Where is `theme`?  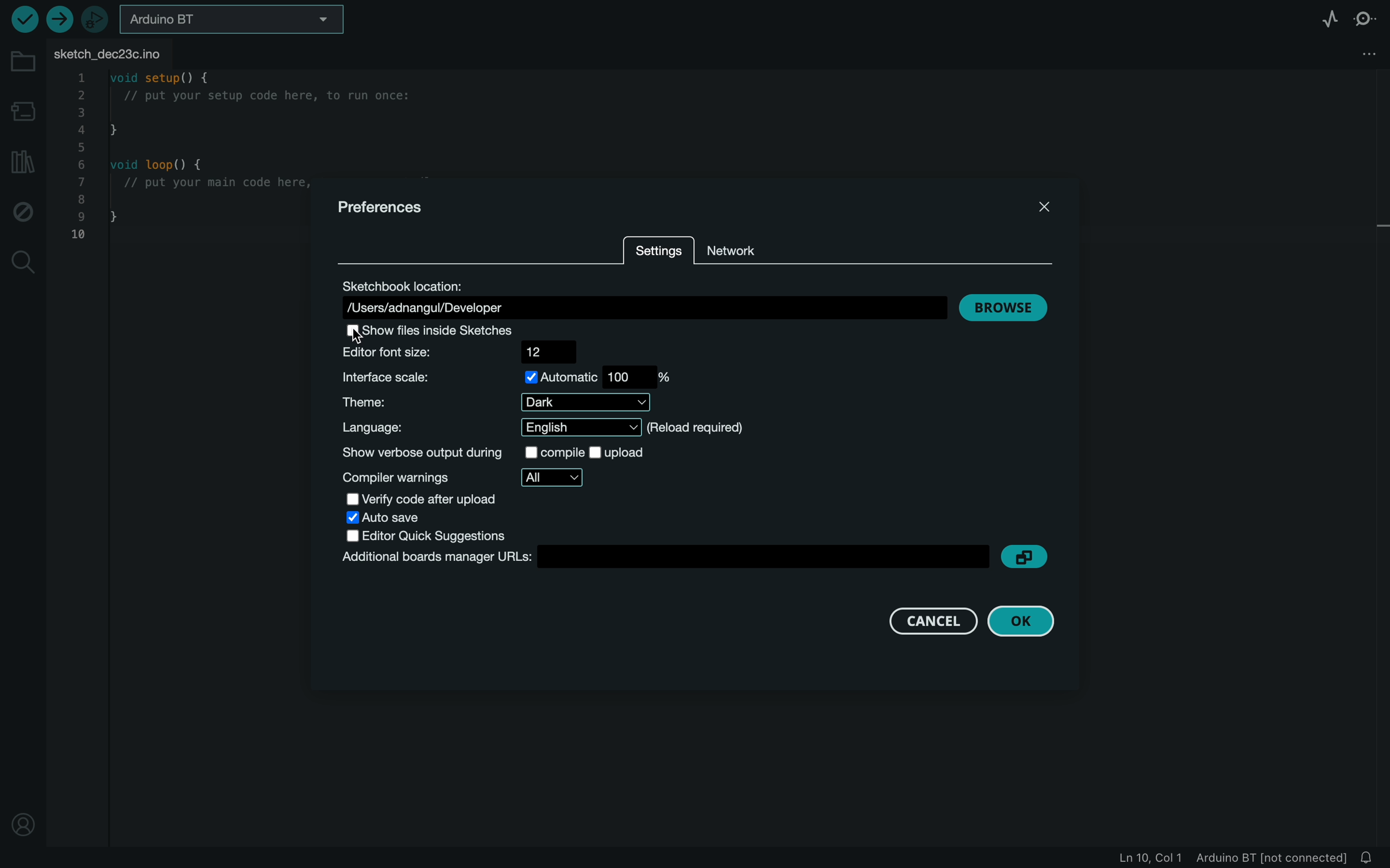
theme is located at coordinates (505, 402).